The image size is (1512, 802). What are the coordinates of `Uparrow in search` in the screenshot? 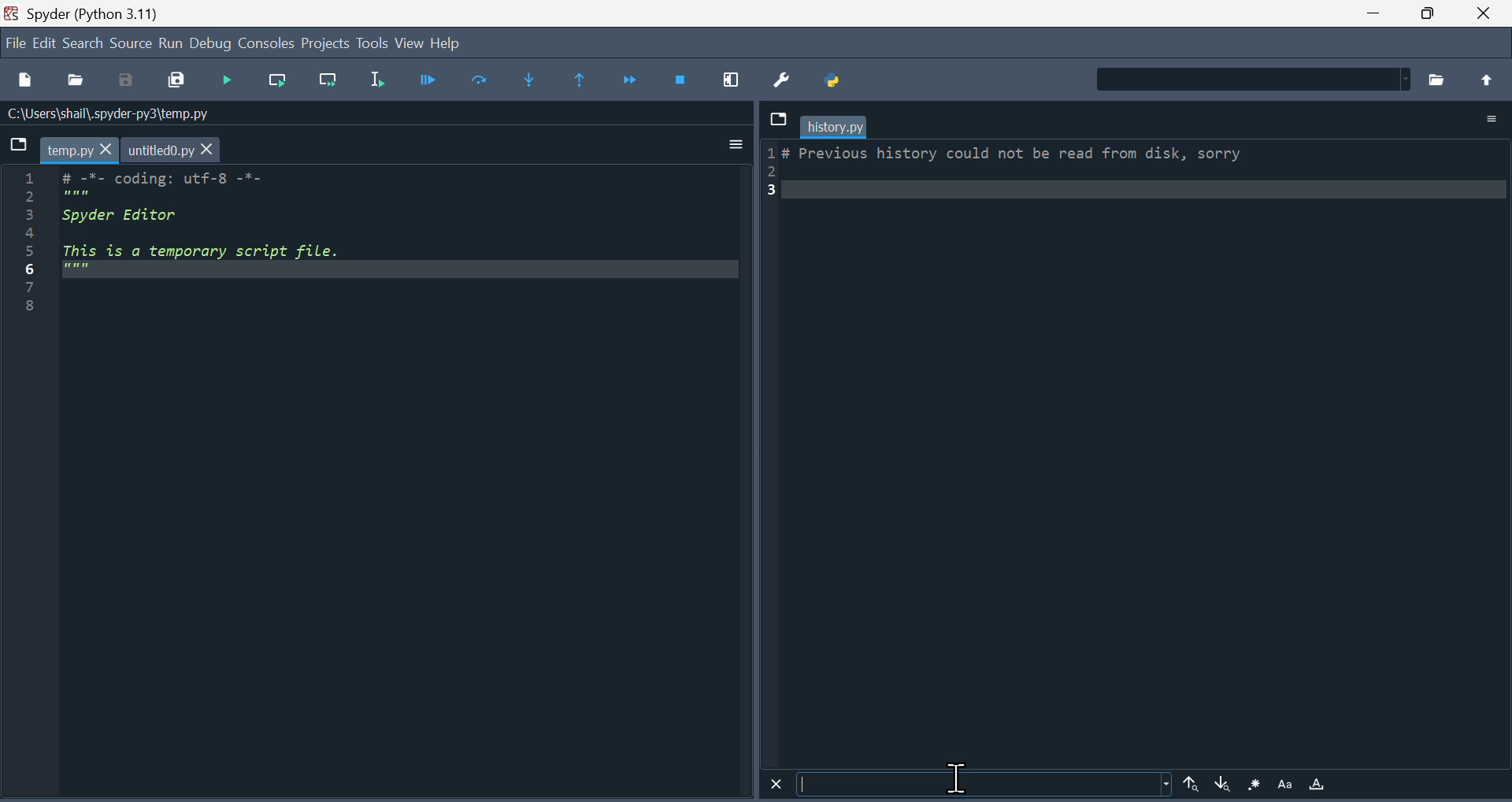 It's located at (1190, 785).